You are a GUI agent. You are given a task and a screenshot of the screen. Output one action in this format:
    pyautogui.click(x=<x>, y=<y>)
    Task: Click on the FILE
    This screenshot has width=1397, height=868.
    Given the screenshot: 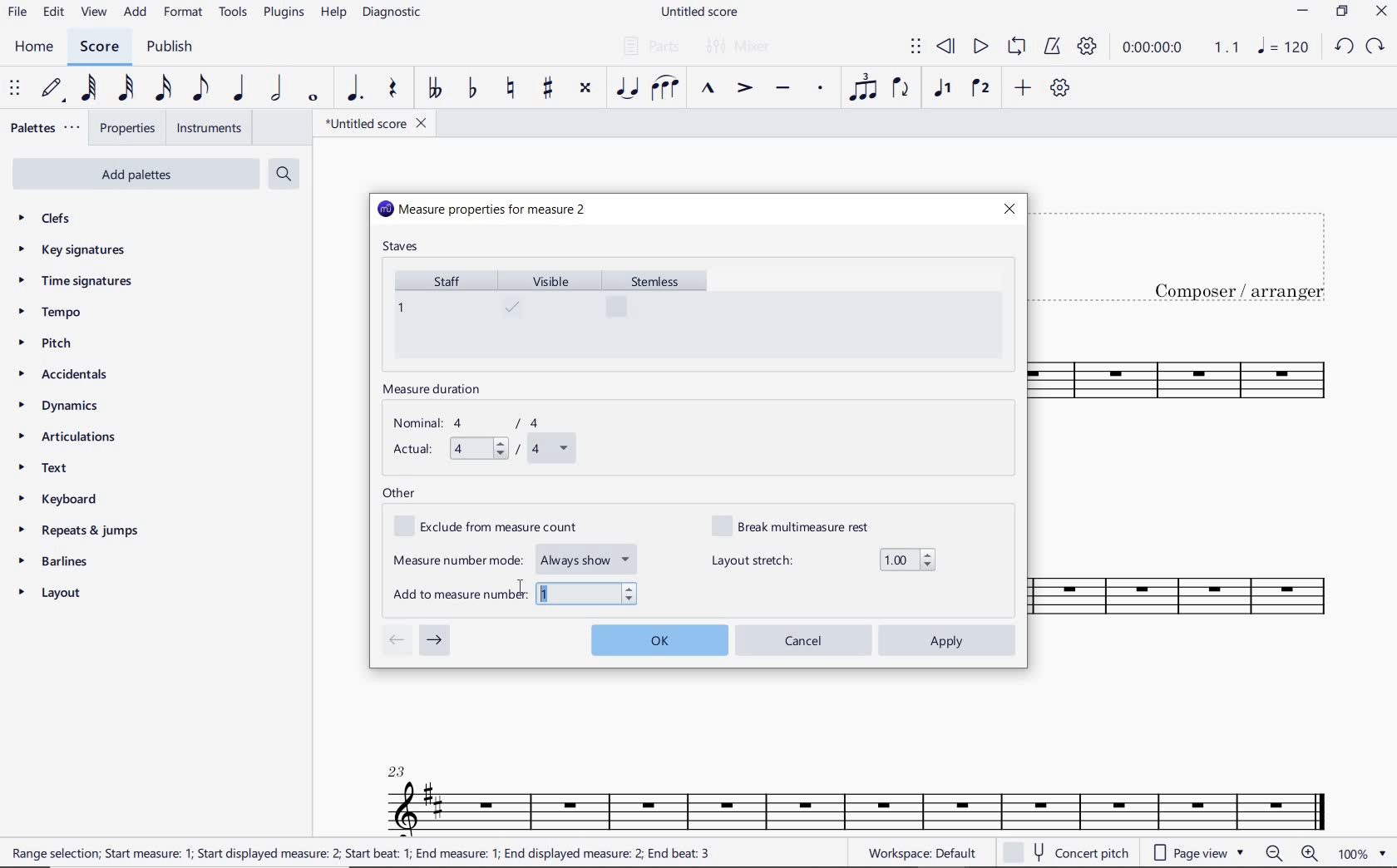 What is the action you would take?
    pyautogui.click(x=17, y=13)
    